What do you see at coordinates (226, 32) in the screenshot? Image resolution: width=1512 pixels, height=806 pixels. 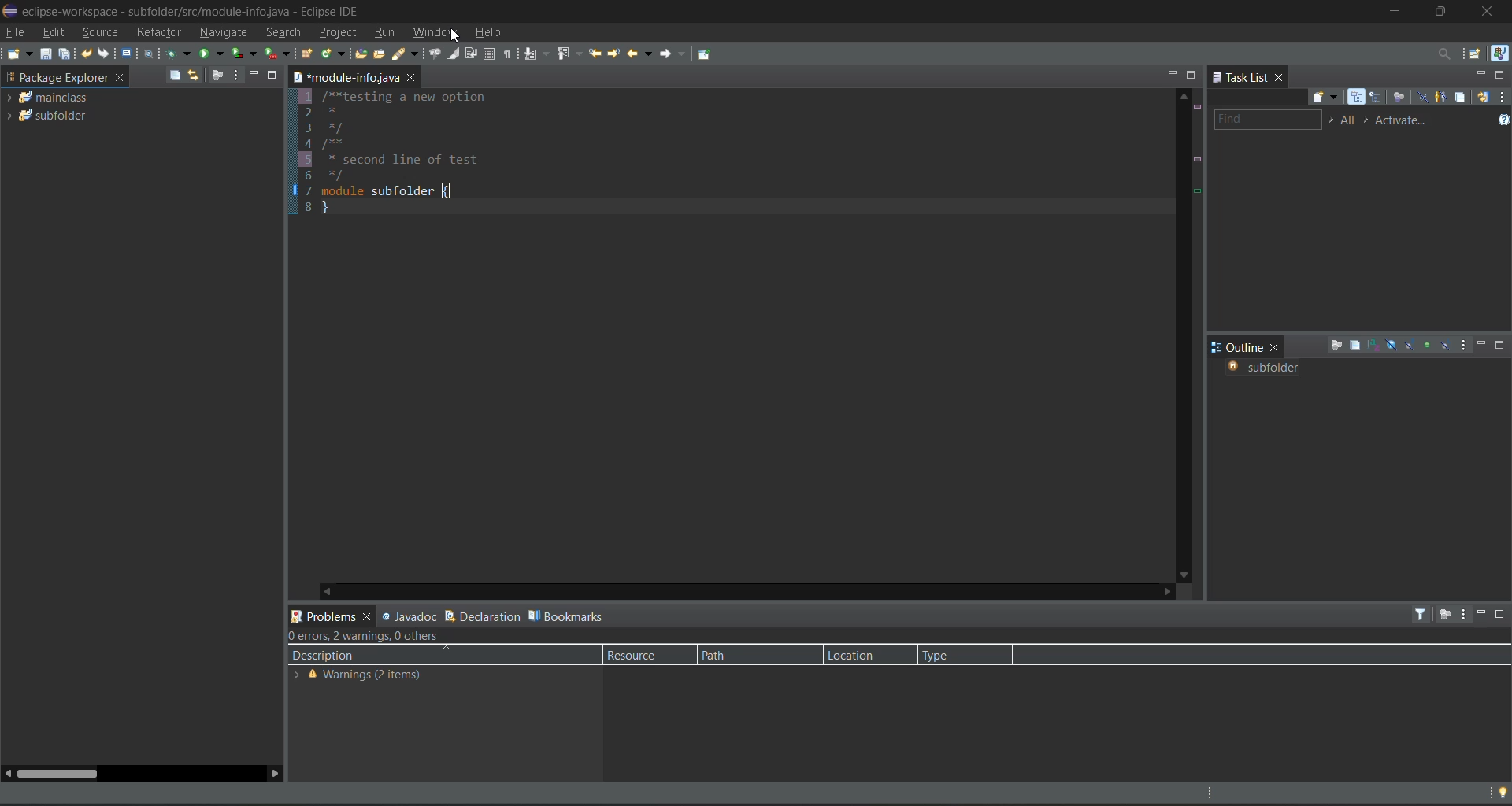 I see `navigate` at bounding box center [226, 32].